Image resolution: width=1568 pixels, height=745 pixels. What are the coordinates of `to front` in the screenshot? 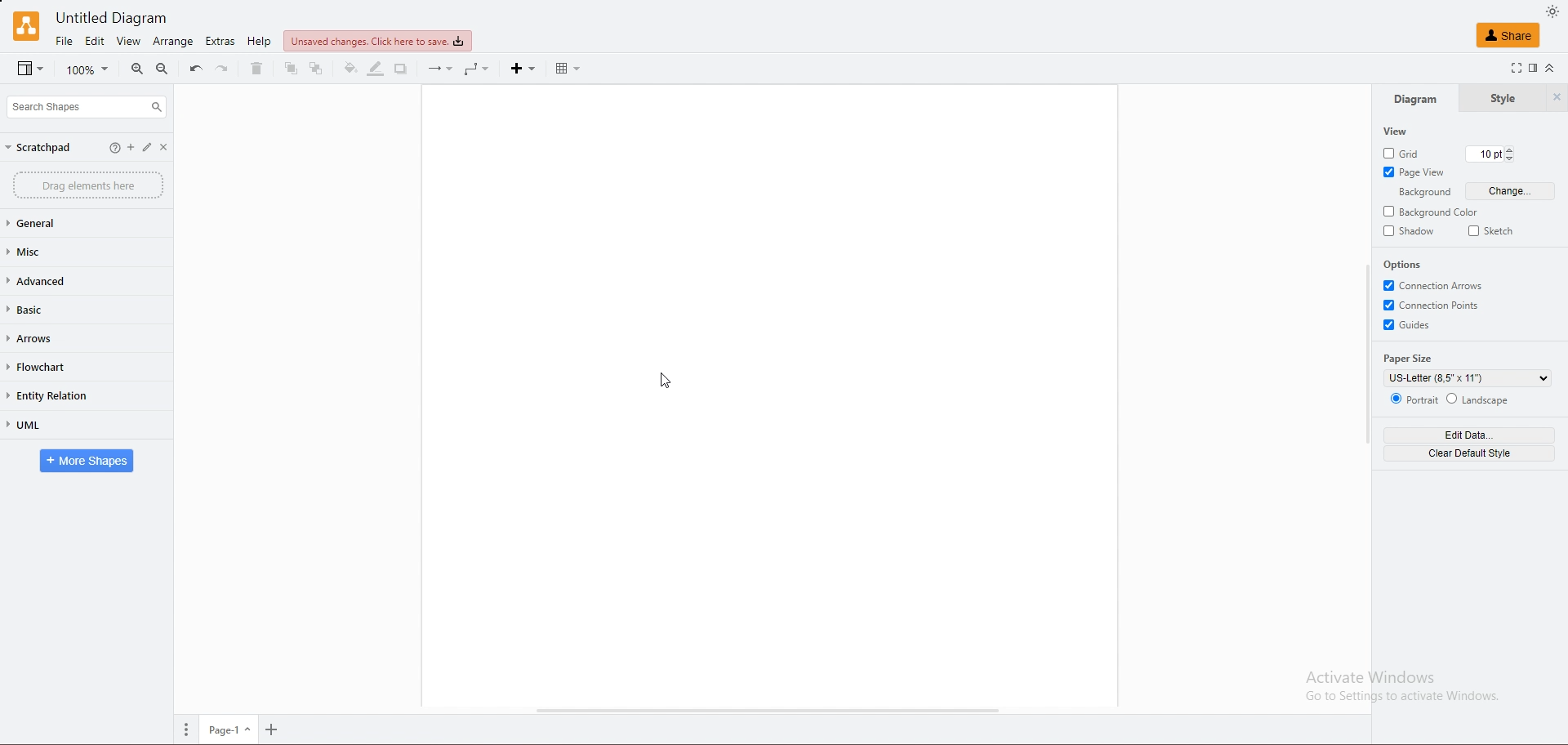 It's located at (288, 69).